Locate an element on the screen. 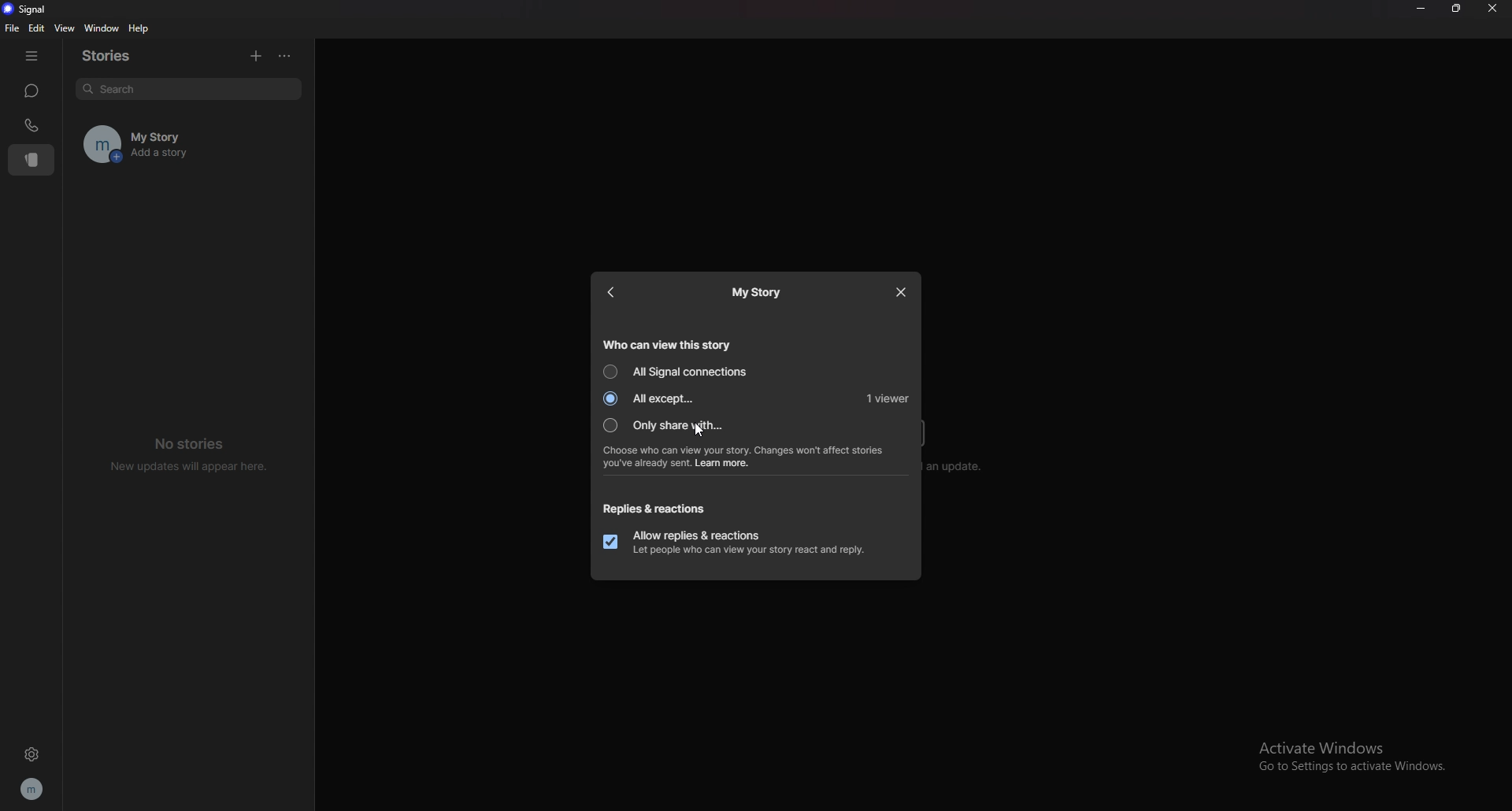 This screenshot has height=811, width=1512. calls is located at coordinates (31, 125).